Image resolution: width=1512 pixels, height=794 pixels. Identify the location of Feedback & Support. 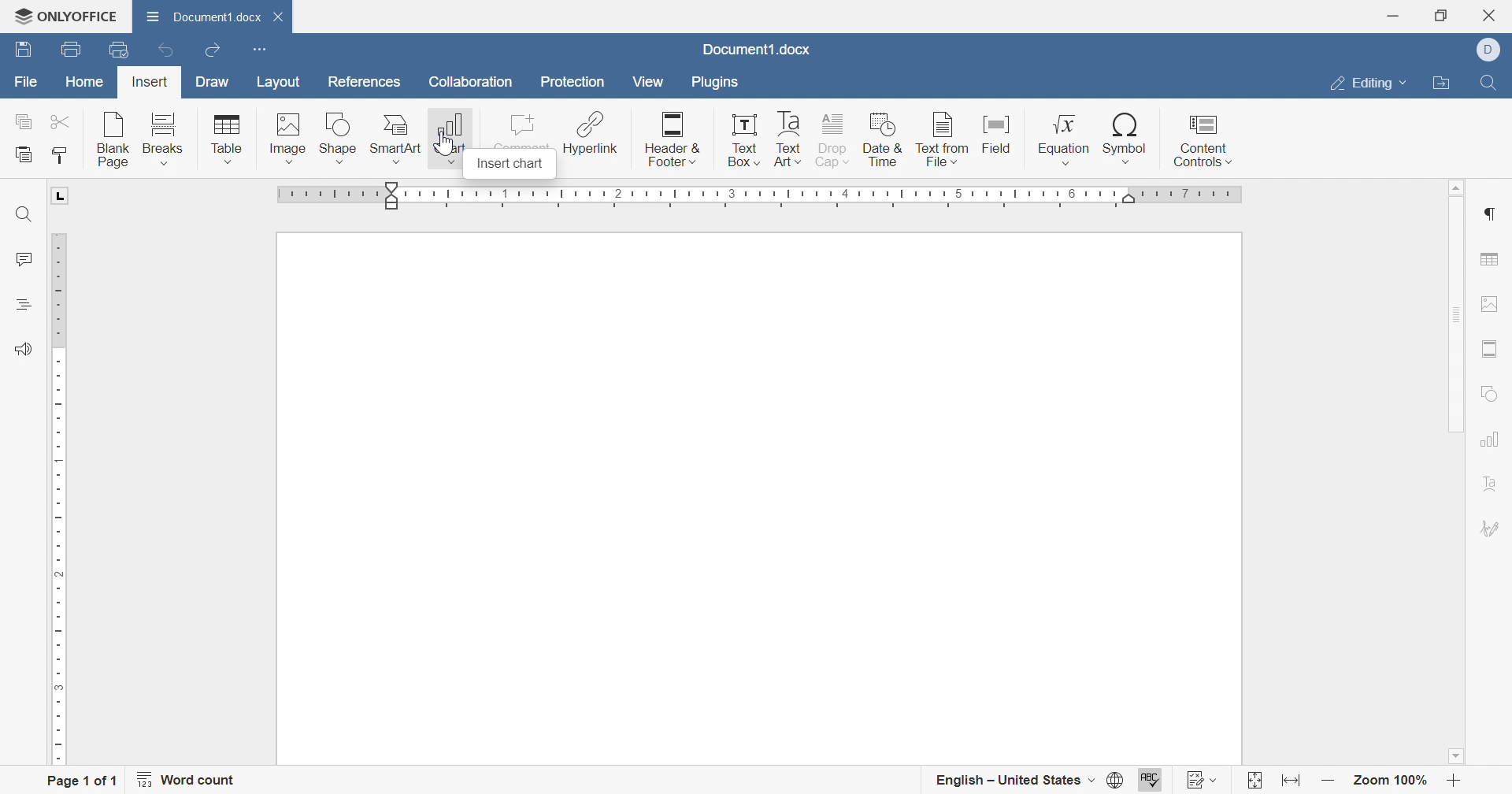
(24, 347).